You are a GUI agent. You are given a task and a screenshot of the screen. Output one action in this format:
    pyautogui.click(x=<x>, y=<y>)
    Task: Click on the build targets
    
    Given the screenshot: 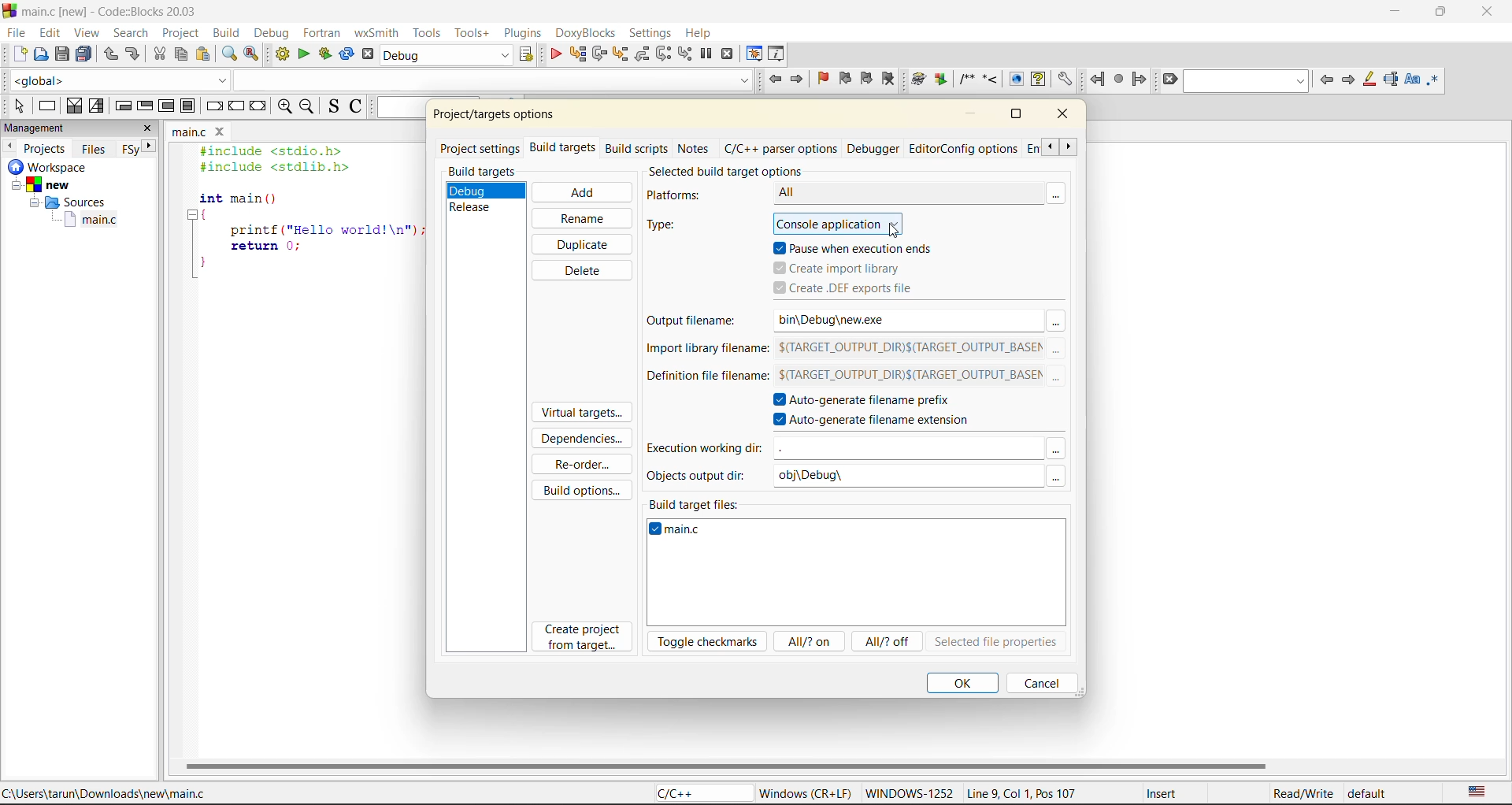 What is the action you would take?
    pyautogui.click(x=565, y=150)
    